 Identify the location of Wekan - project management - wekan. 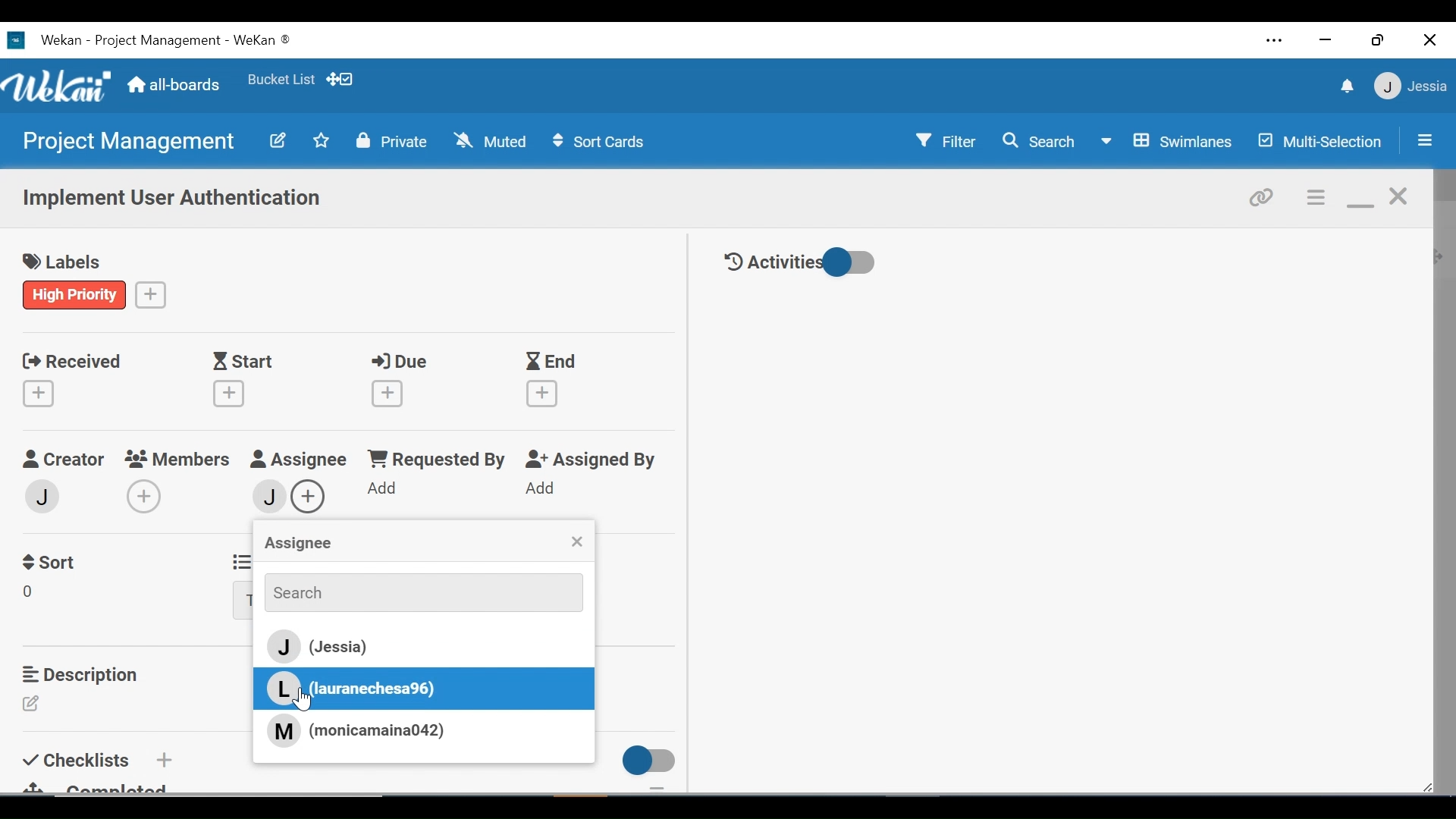
(188, 38).